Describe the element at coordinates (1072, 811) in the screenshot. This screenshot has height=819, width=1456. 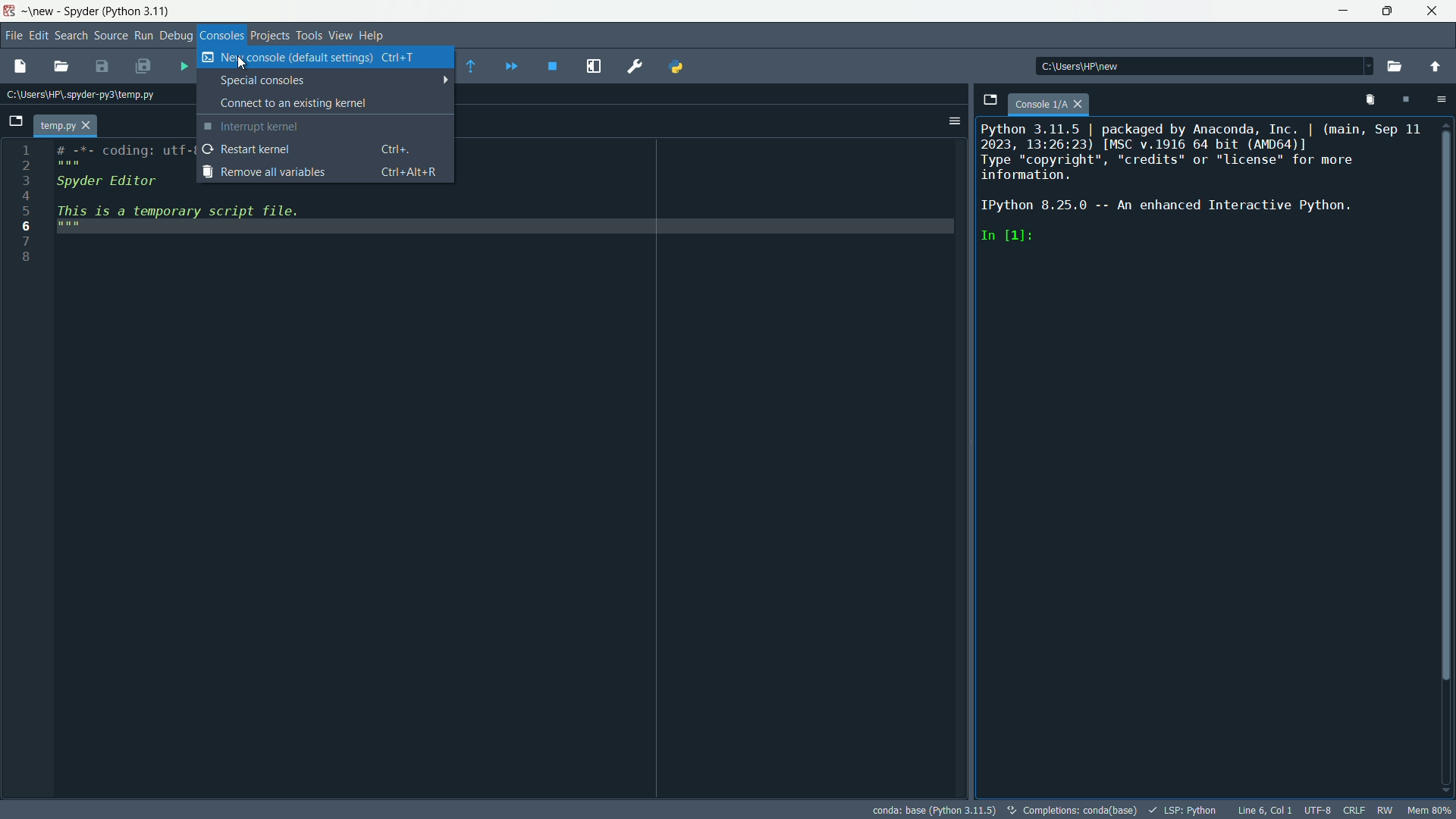
I see `completetions:conda` at that location.